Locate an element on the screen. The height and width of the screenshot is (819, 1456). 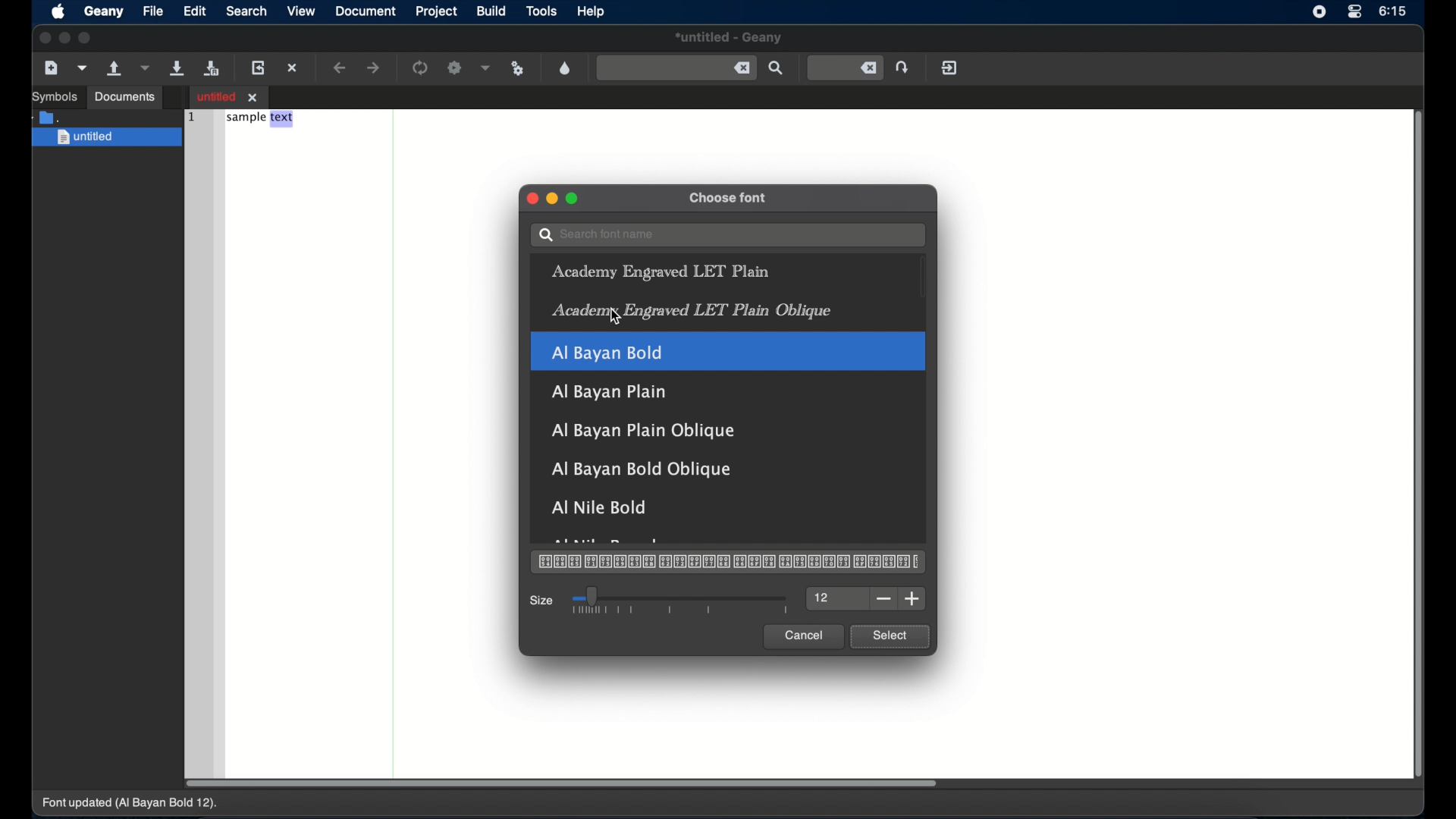
academy engraved LET plain is located at coordinates (660, 272).